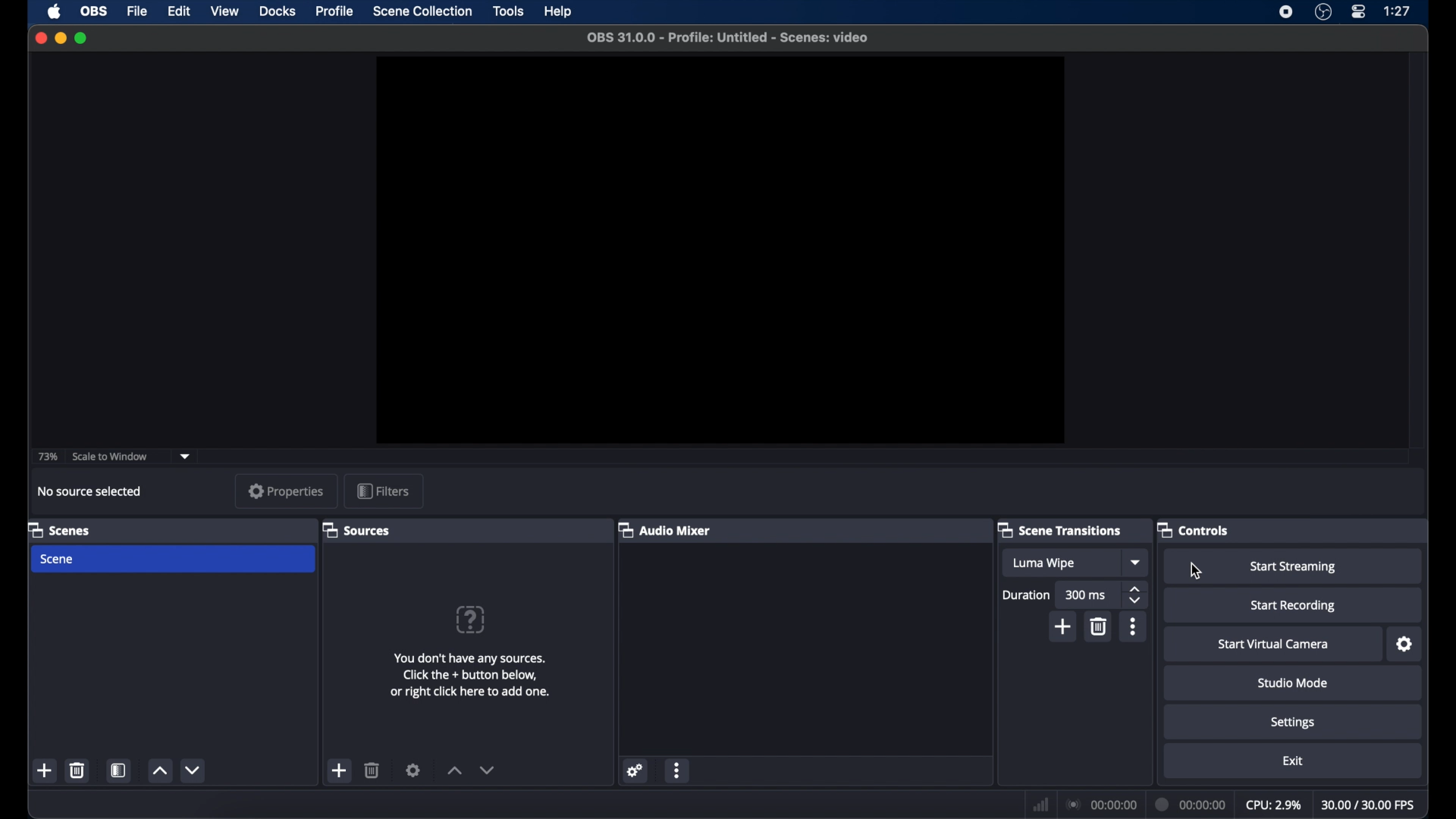  I want to click on settings, so click(414, 770).